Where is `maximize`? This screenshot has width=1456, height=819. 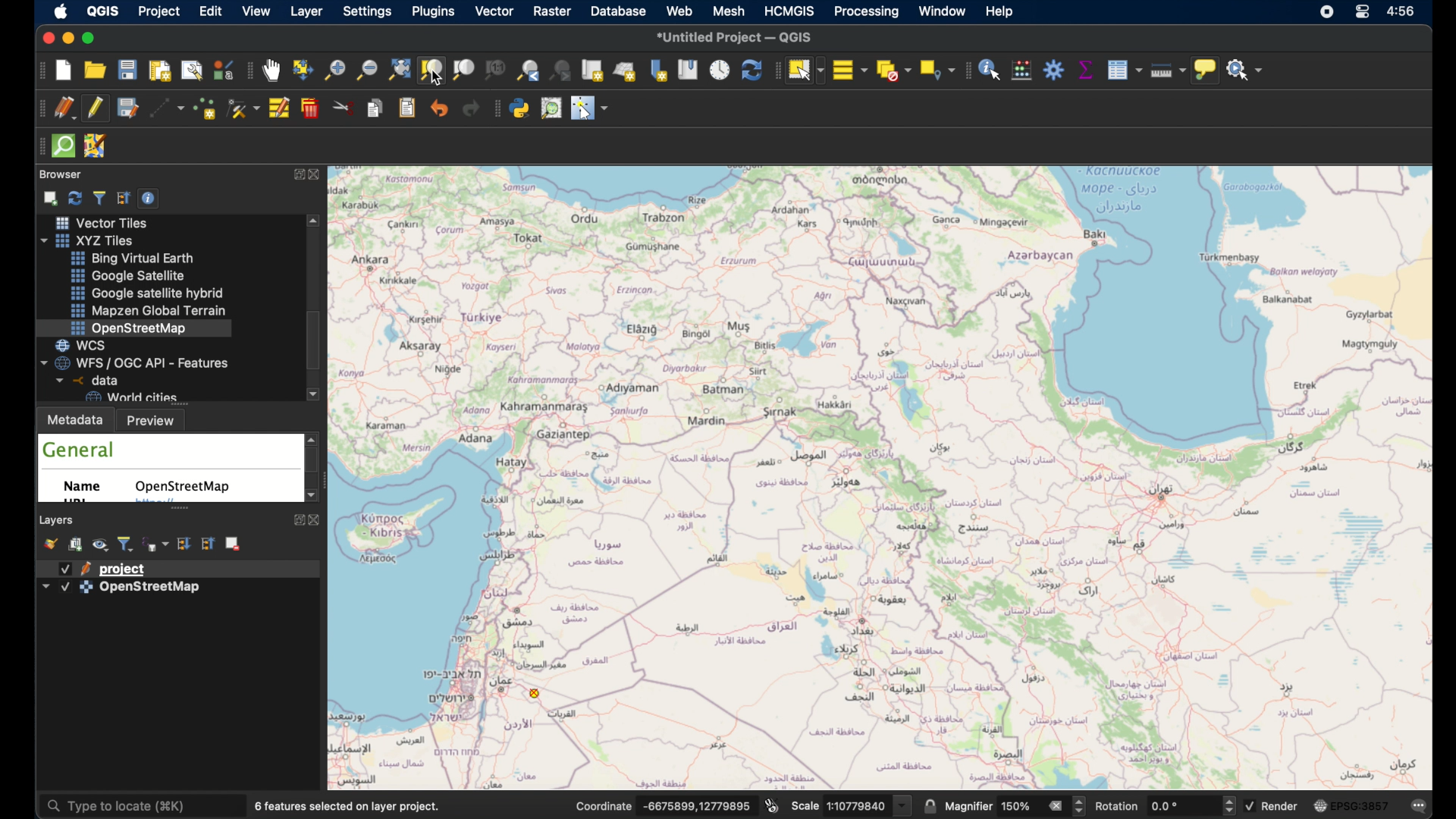
maximize is located at coordinates (93, 38).